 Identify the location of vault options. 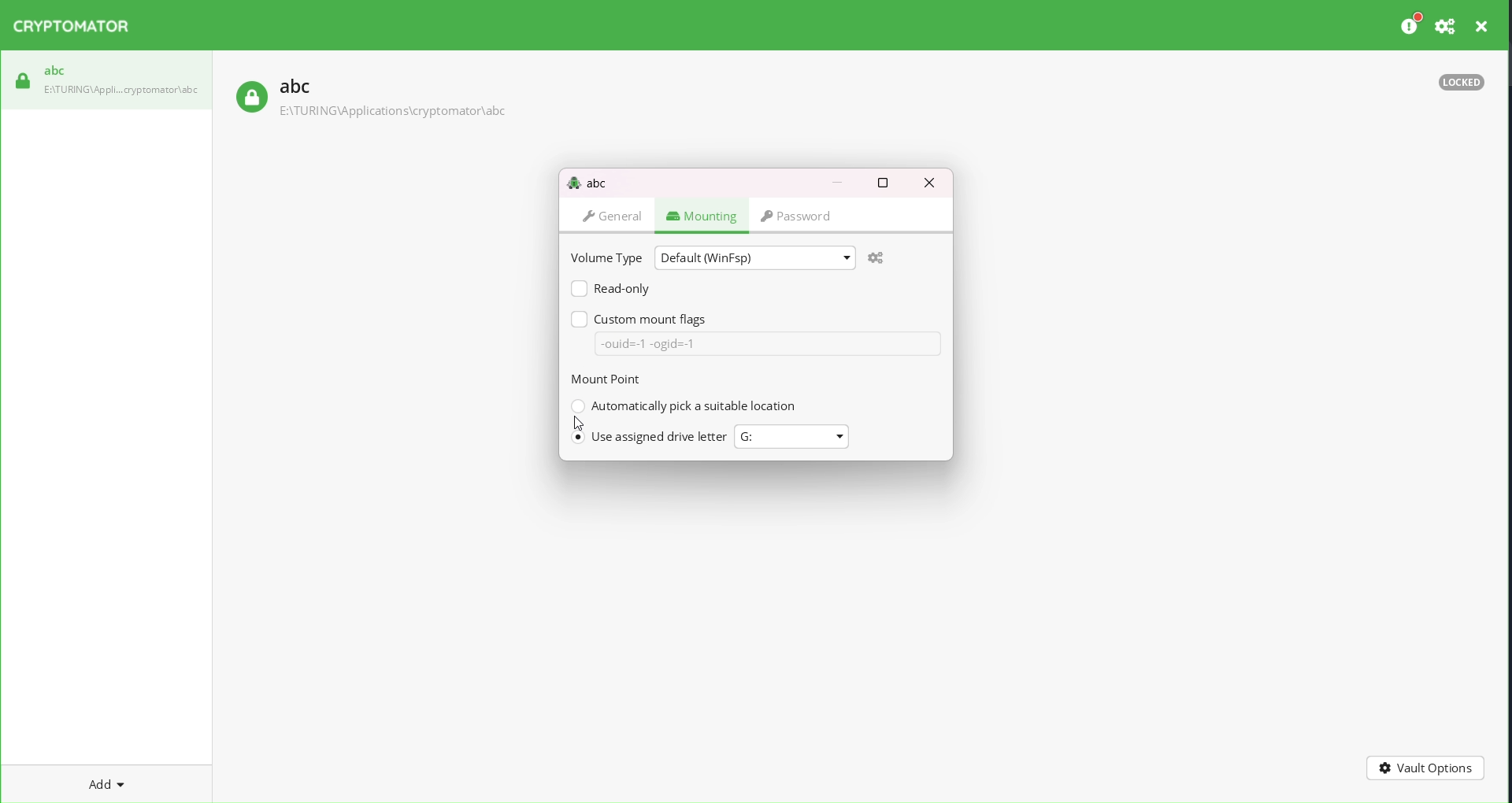
(1424, 766).